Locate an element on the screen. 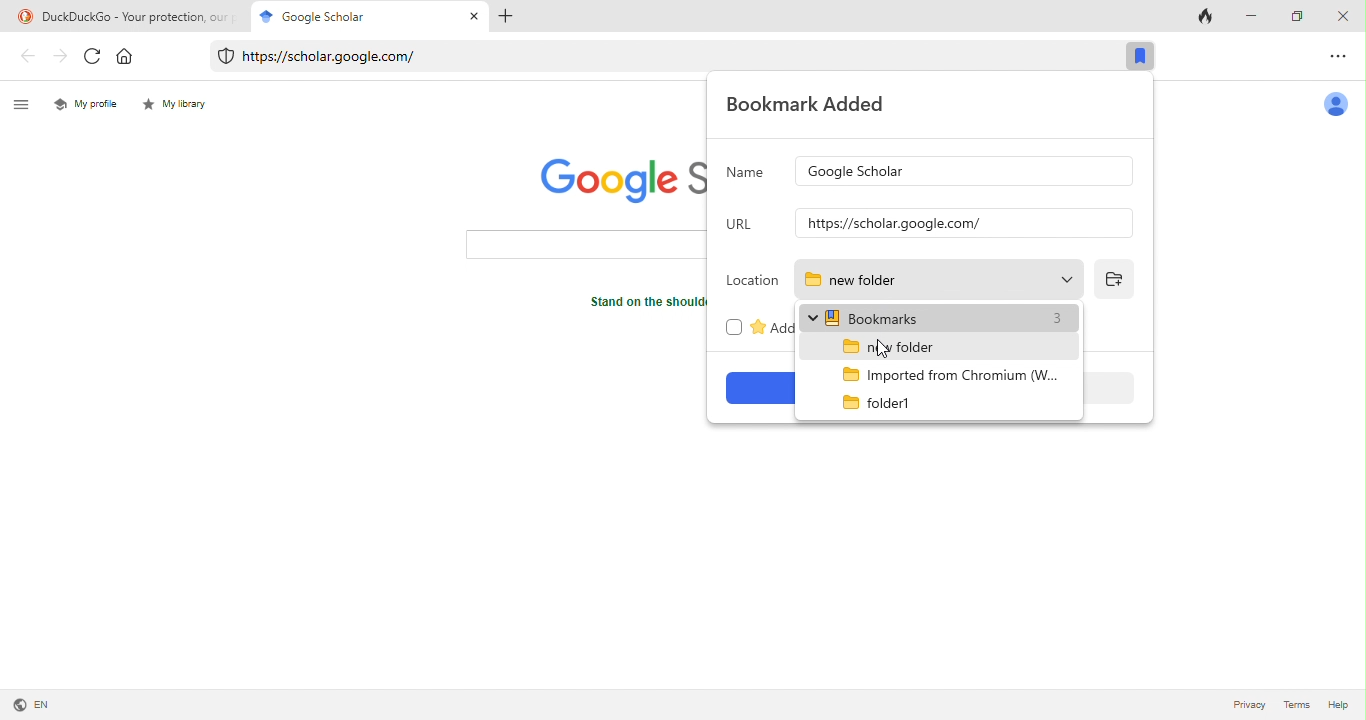 The width and height of the screenshot is (1366, 720). cursor movement is located at coordinates (391, 17).